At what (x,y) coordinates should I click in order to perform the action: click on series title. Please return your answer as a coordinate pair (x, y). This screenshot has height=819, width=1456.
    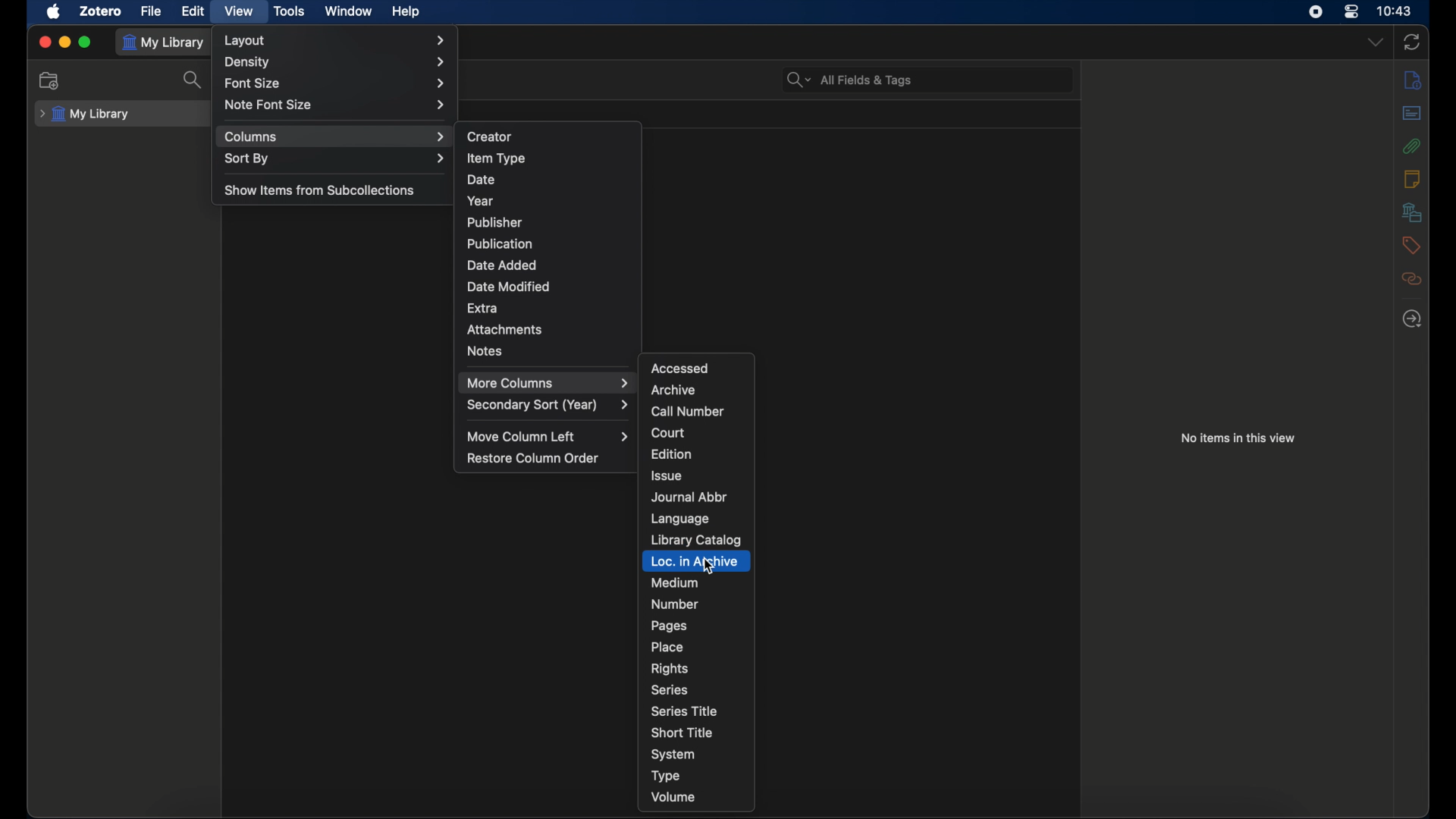
    Looking at the image, I should click on (686, 711).